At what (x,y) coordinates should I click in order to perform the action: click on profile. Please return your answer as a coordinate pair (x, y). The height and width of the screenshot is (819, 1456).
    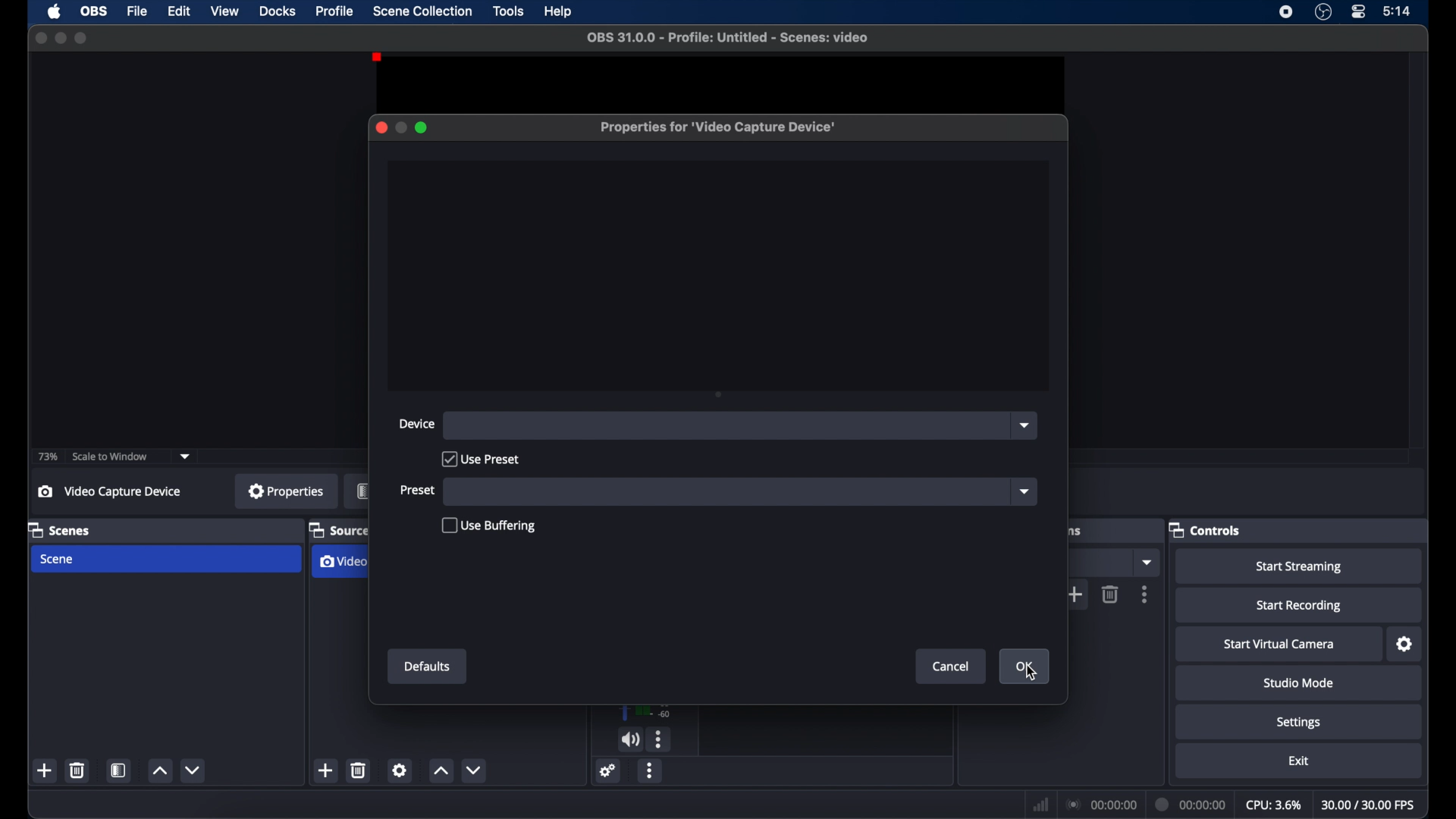
    Looking at the image, I should click on (336, 11).